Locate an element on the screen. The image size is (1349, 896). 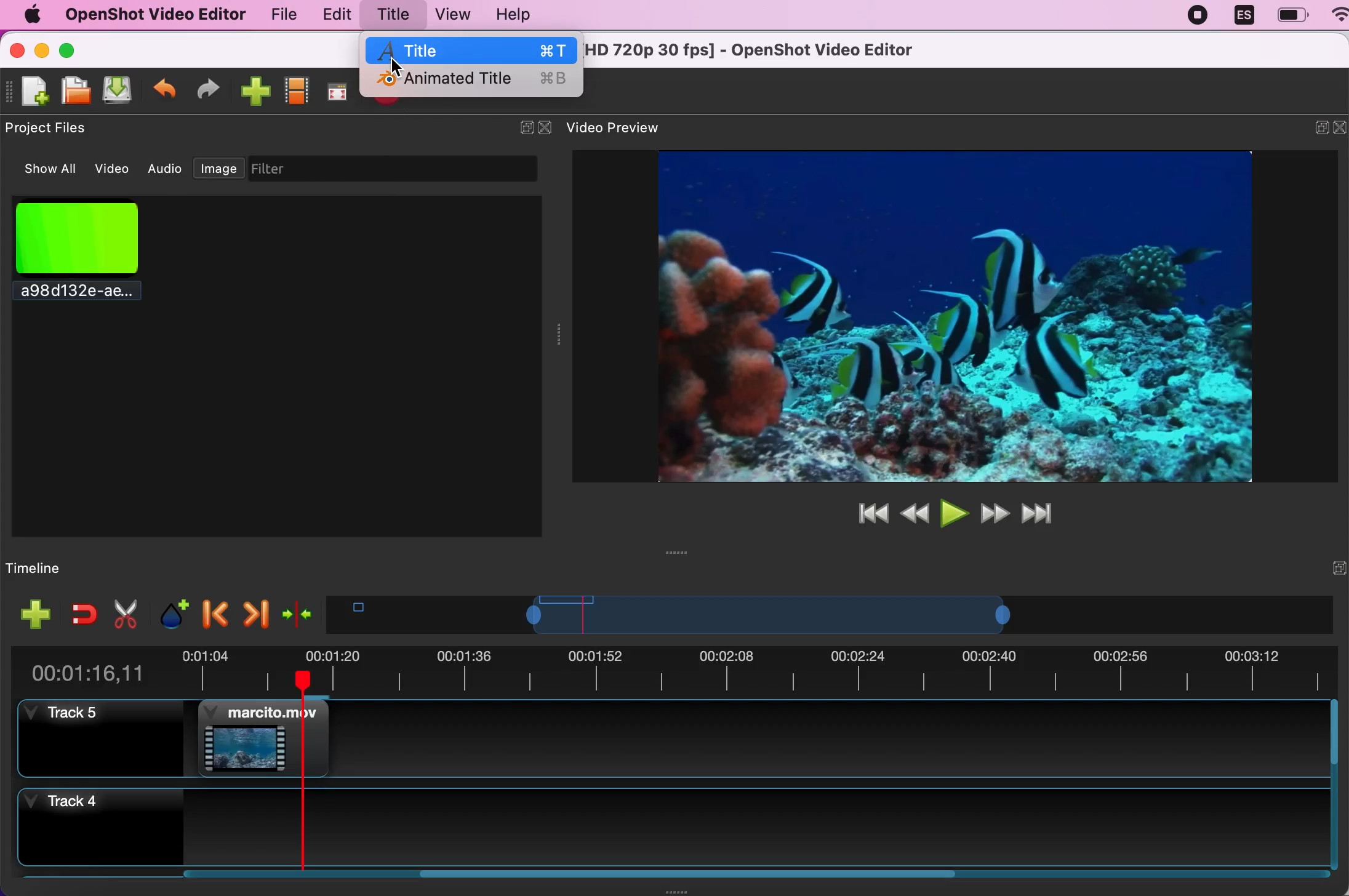
minimize is located at coordinates (42, 49).